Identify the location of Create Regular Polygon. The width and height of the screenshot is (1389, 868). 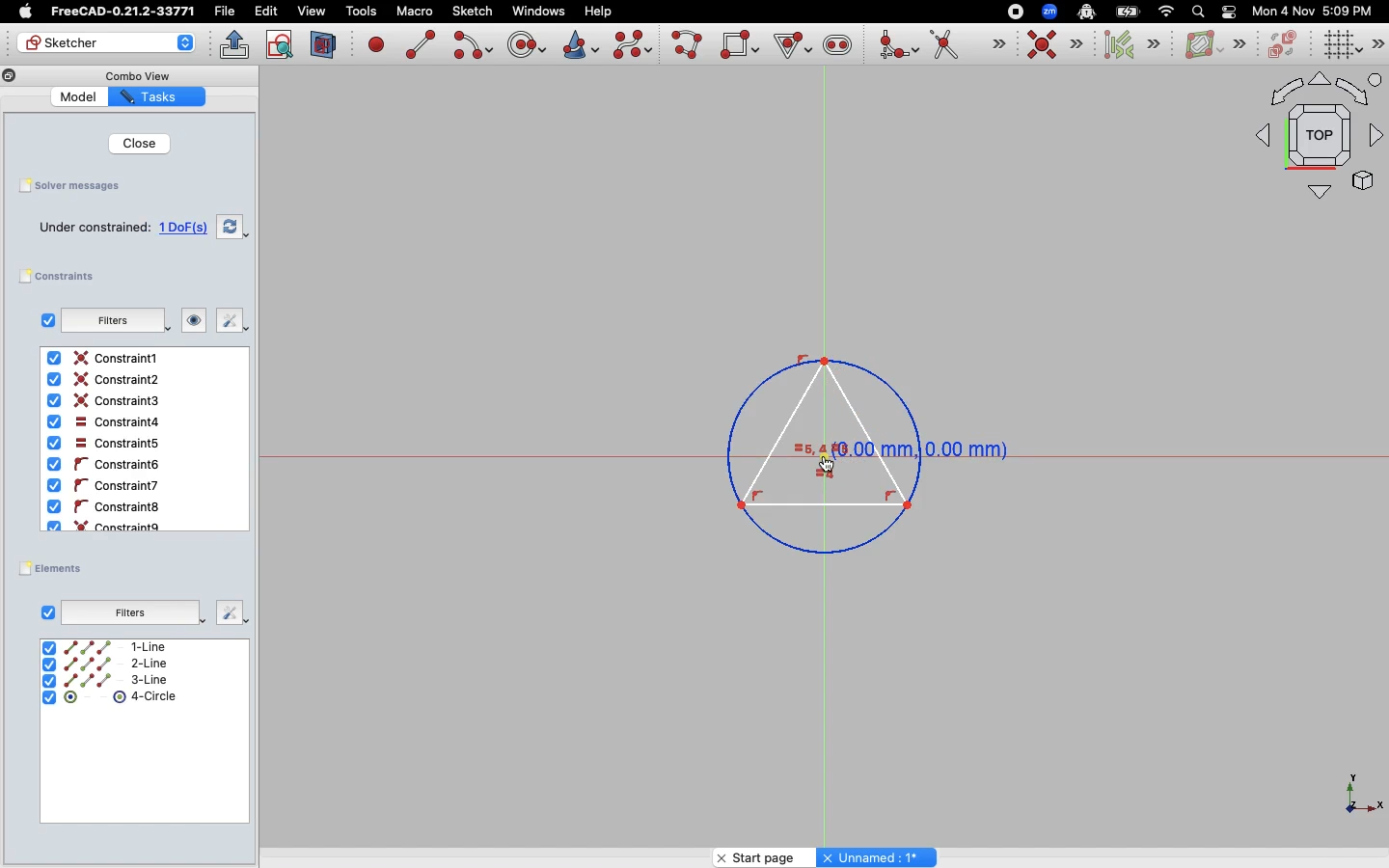
(791, 46).